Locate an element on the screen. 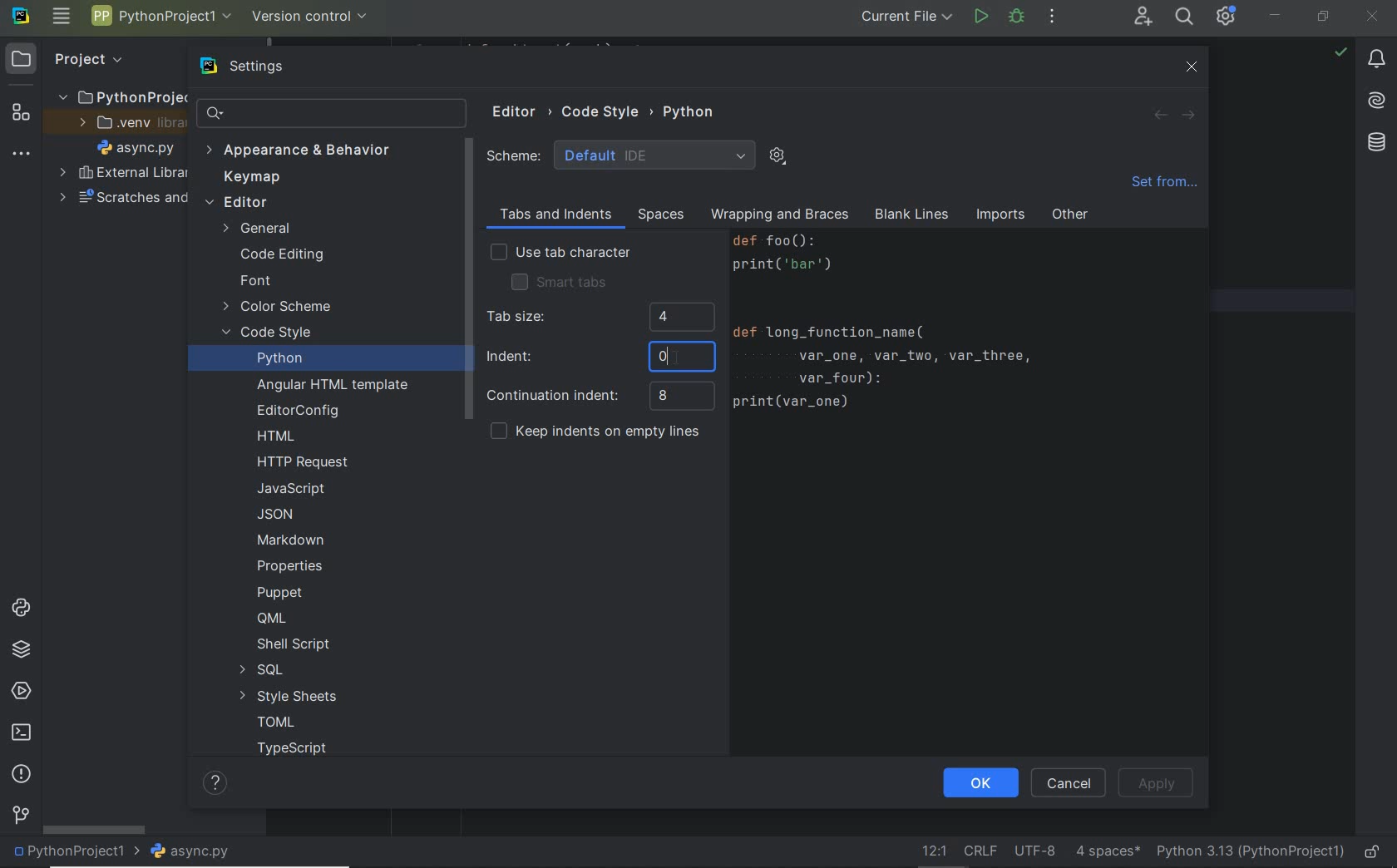 This screenshot has width=1397, height=868. PROPERTIES is located at coordinates (291, 570).